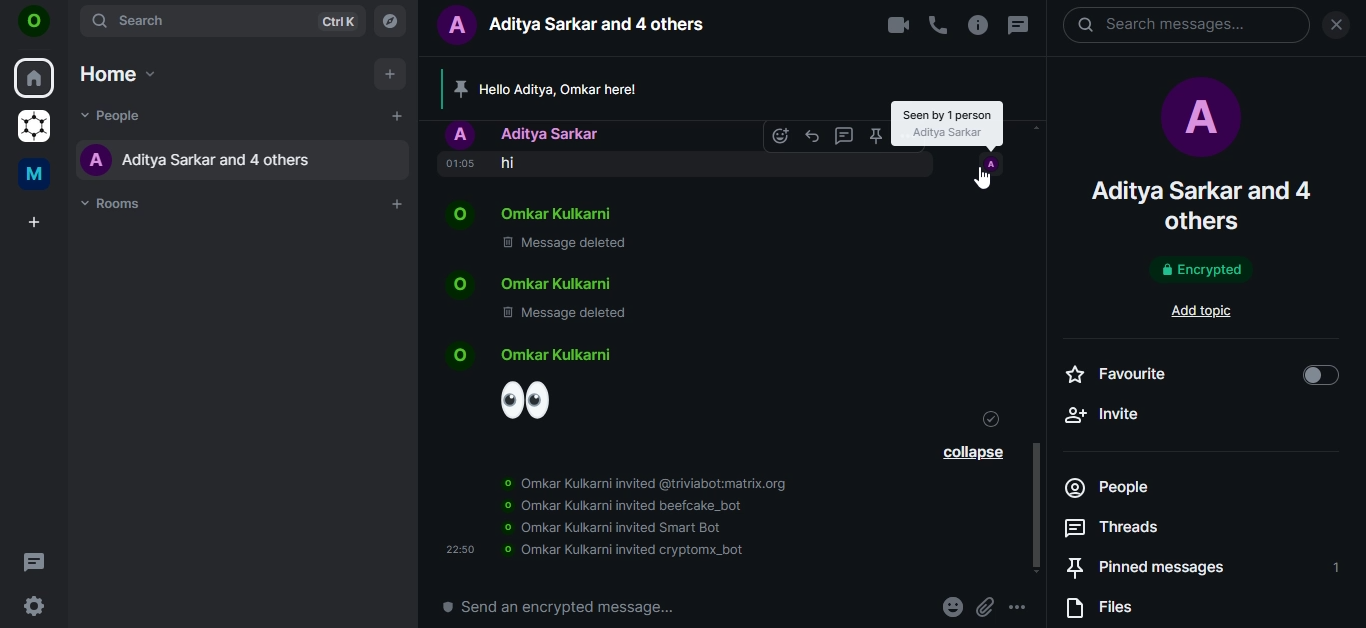  I want to click on threads, so click(1017, 26).